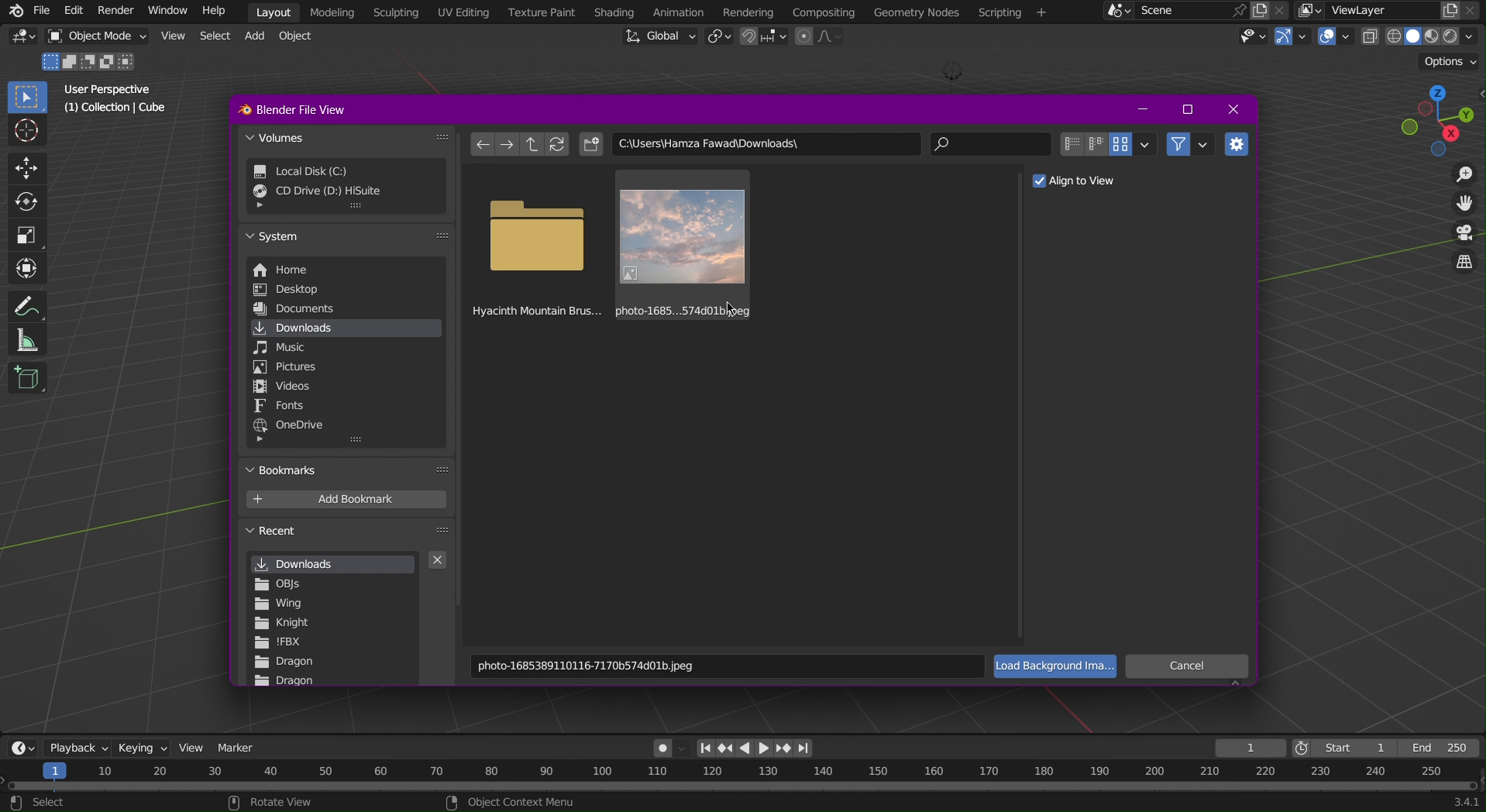 The image size is (1486, 812). Describe the element at coordinates (677, 12) in the screenshot. I see `Animation` at that location.